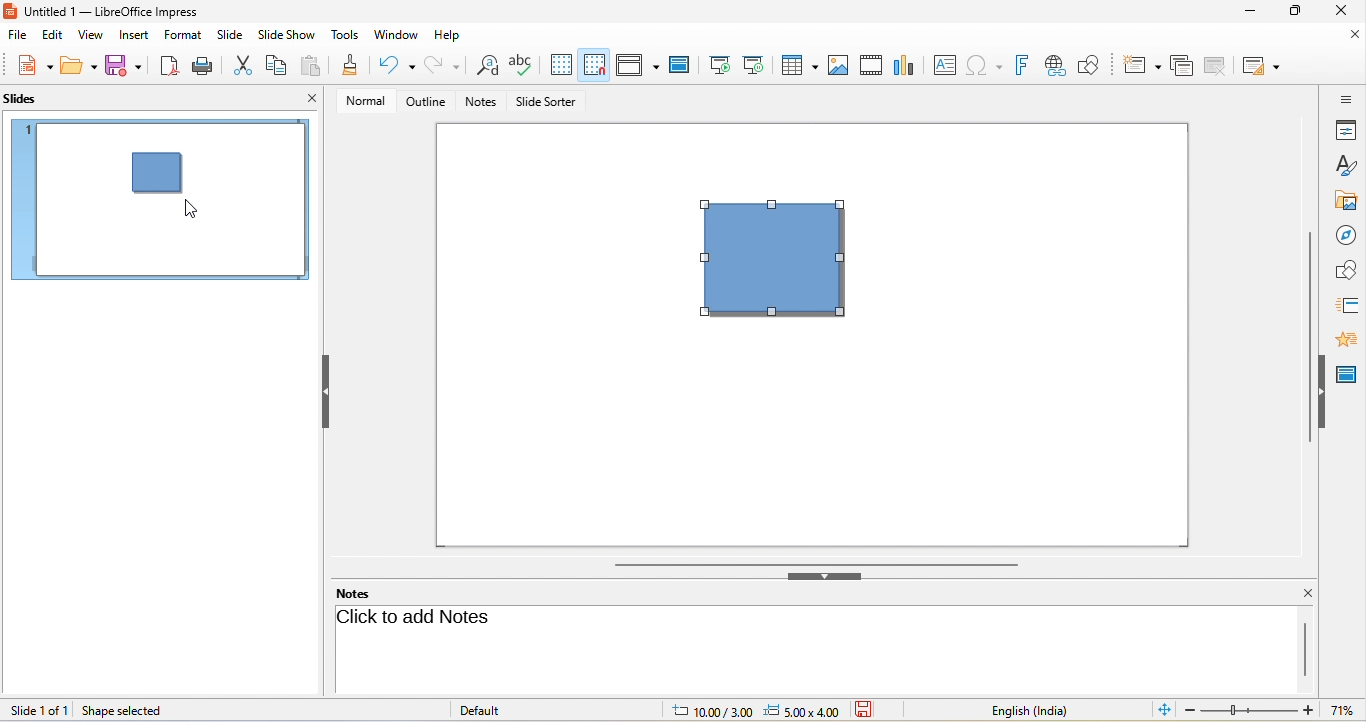 The image size is (1366, 722). Describe the element at coordinates (1350, 371) in the screenshot. I see `master slide` at that location.